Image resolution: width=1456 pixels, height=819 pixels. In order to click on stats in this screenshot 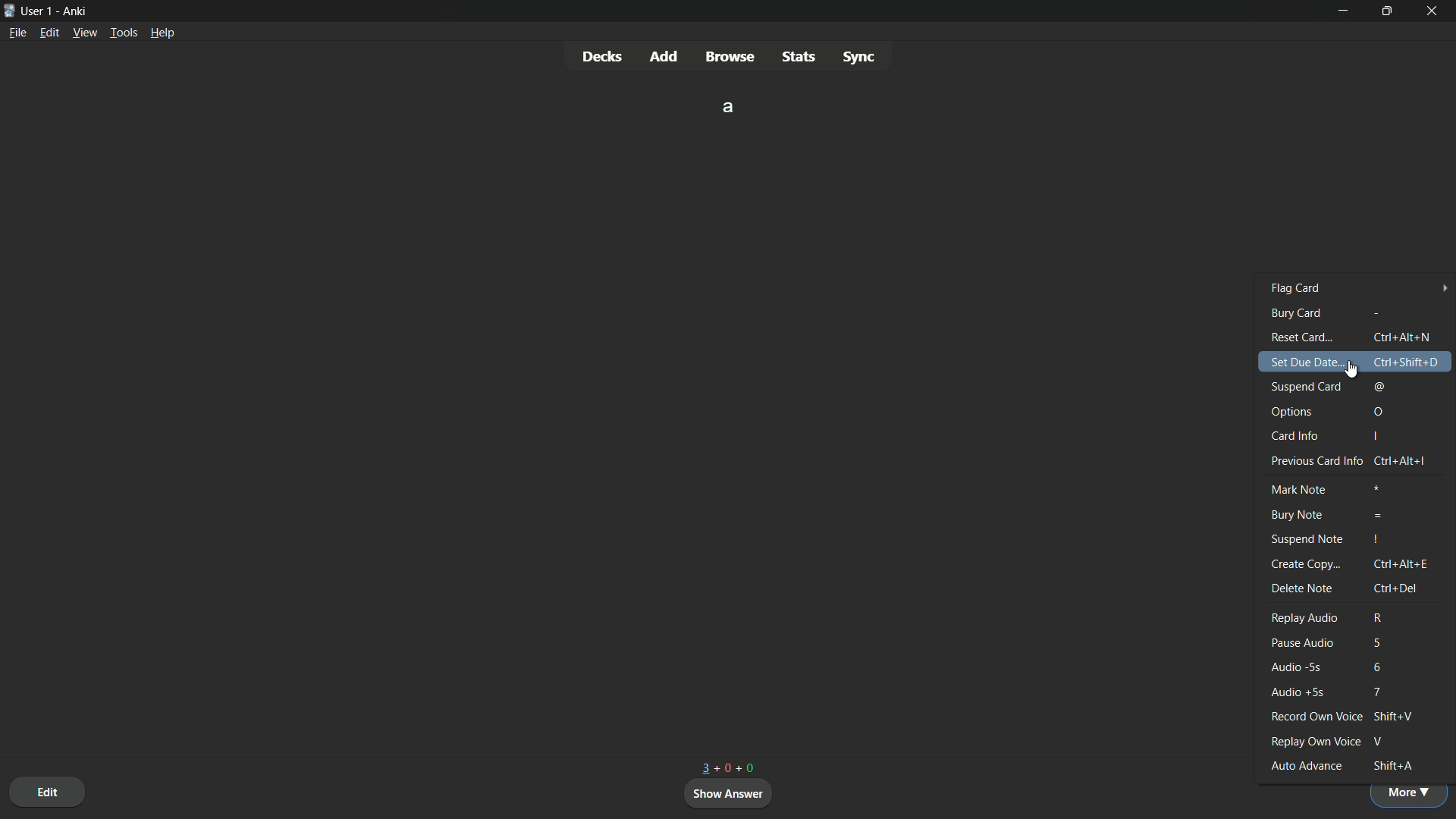, I will do `click(798, 56)`.